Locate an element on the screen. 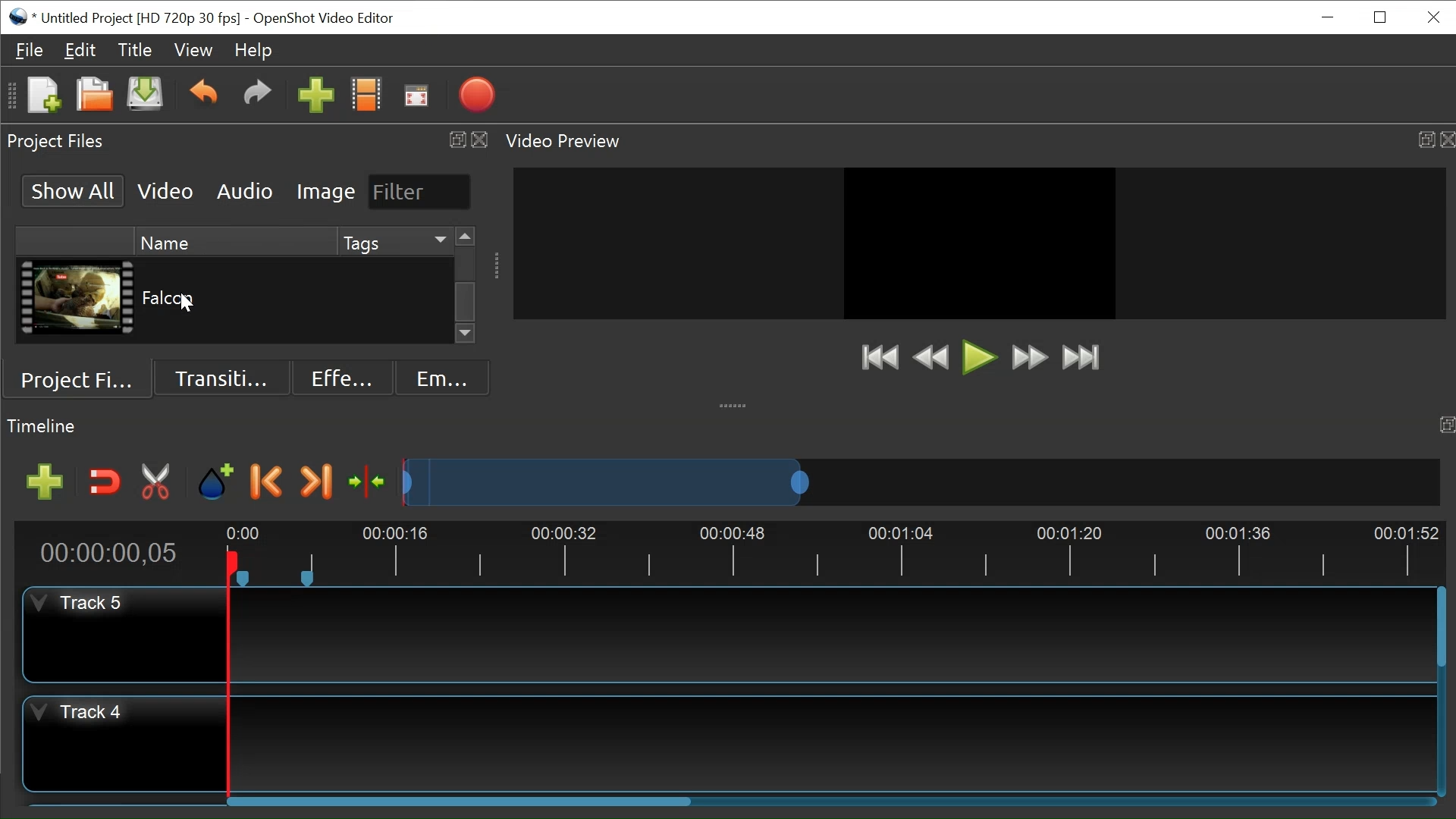 This screenshot has height=819, width=1456. View is located at coordinates (194, 50).